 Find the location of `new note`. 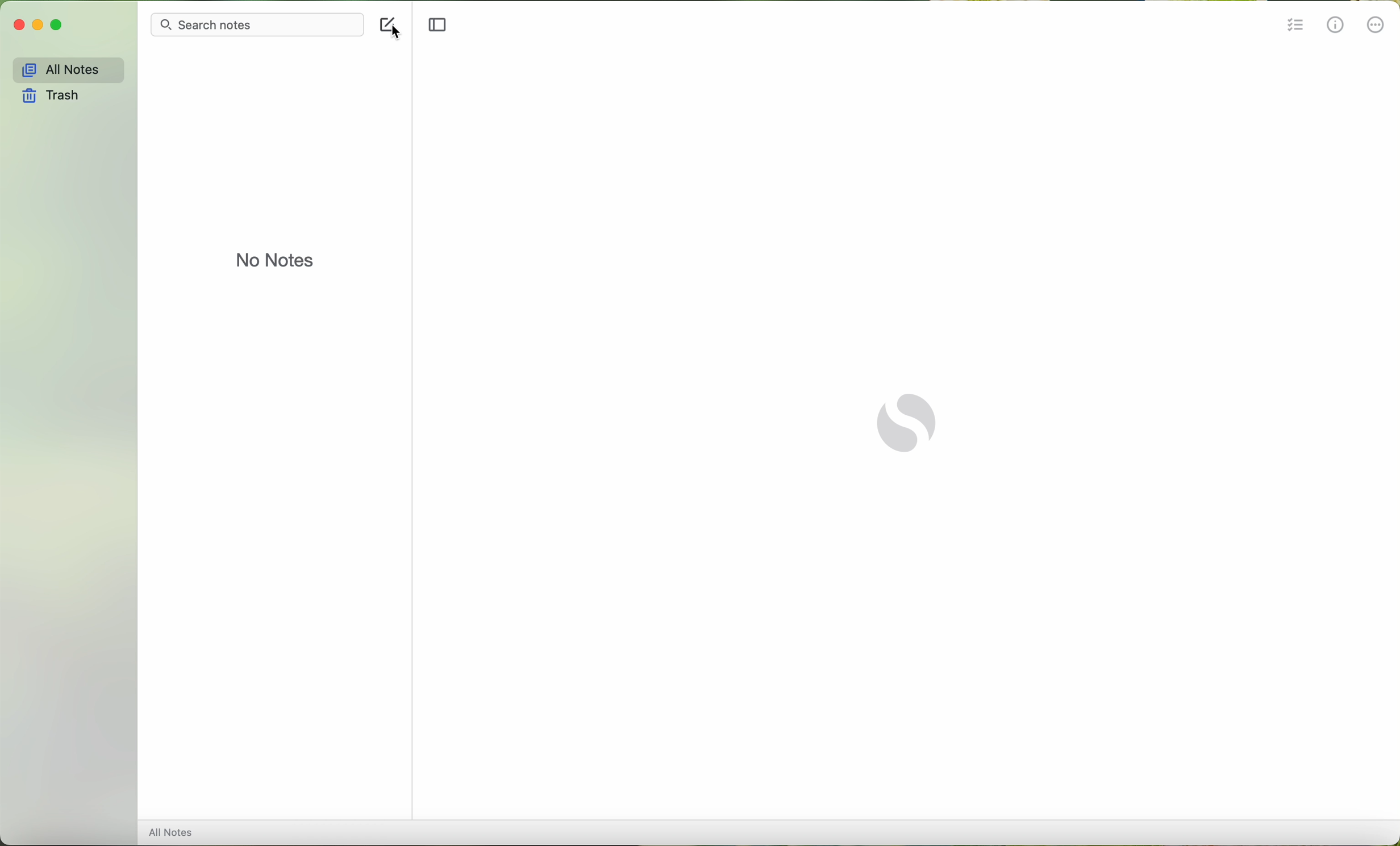

new note is located at coordinates (382, 24).